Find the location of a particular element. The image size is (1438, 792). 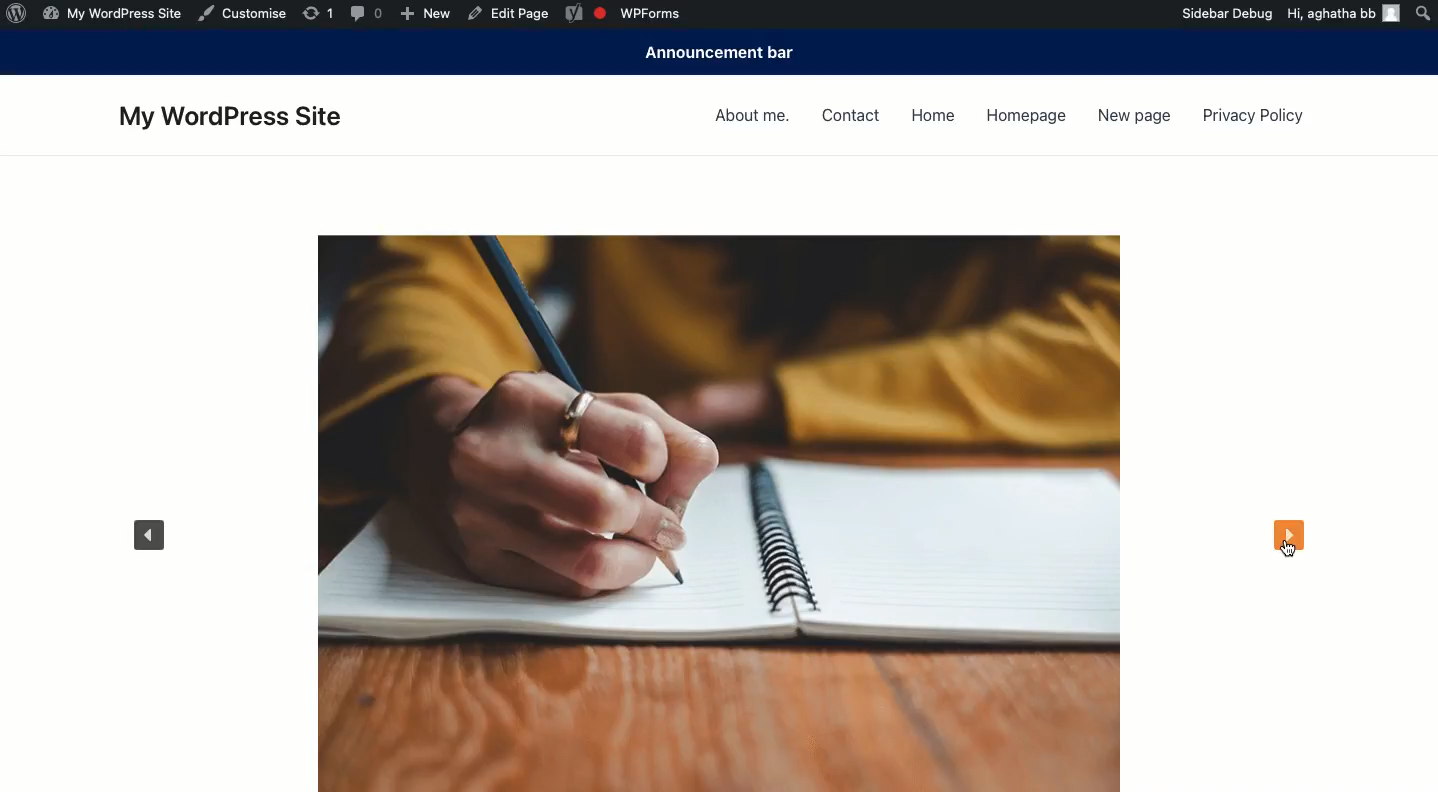

hi, aghatha bb is located at coordinates (1332, 17).